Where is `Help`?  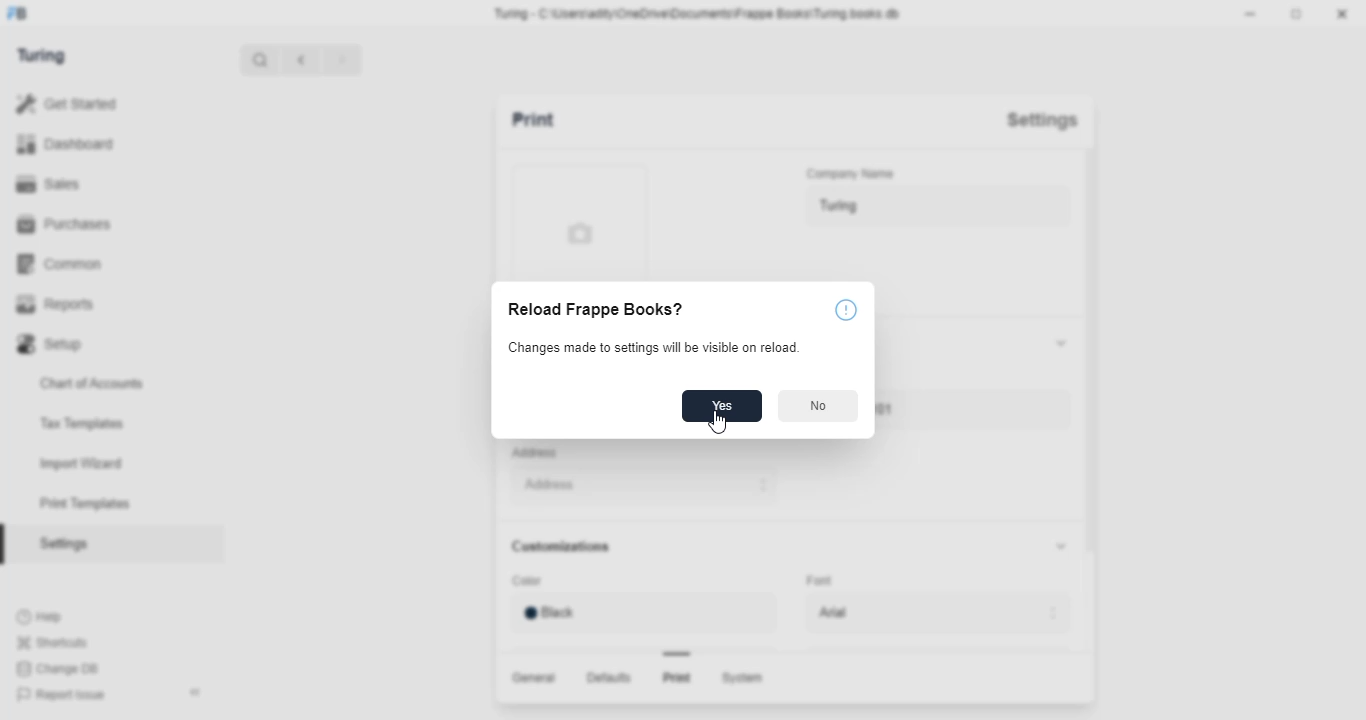 Help is located at coordinates (43, 616).